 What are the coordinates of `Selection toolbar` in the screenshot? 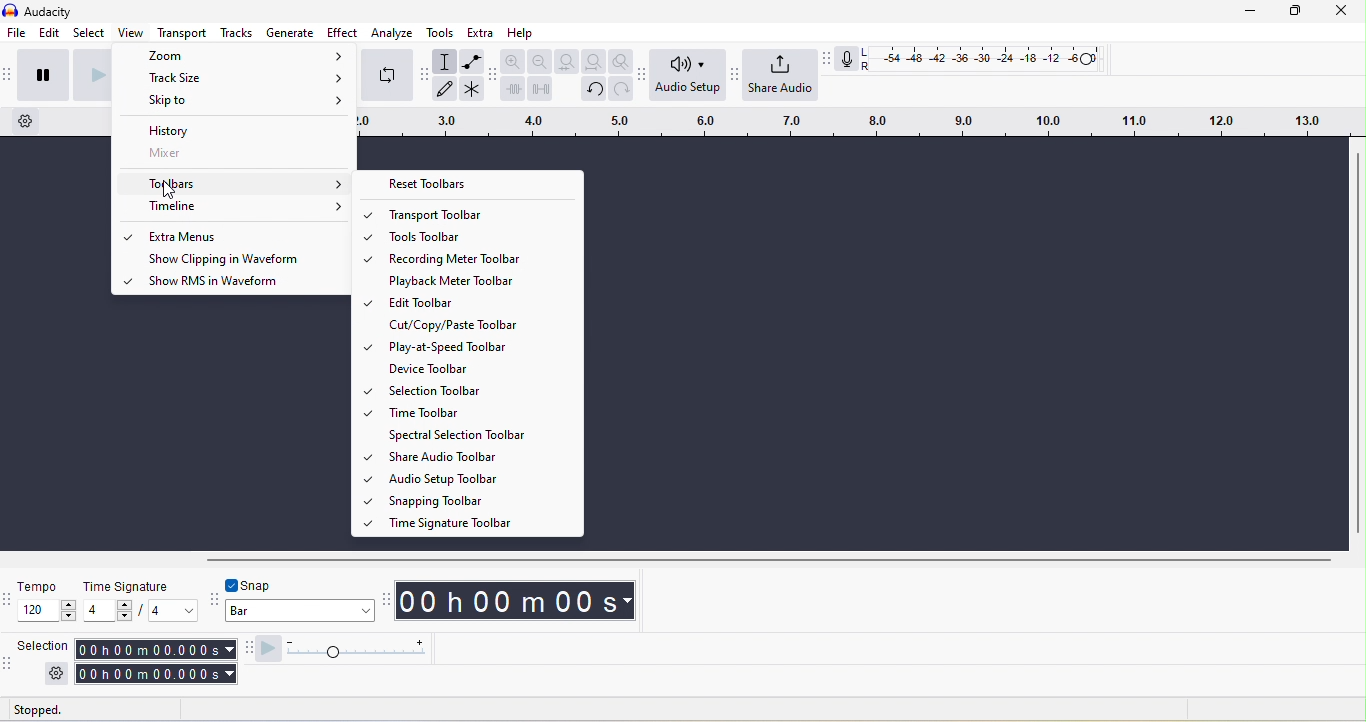 It's located at (481, 390).